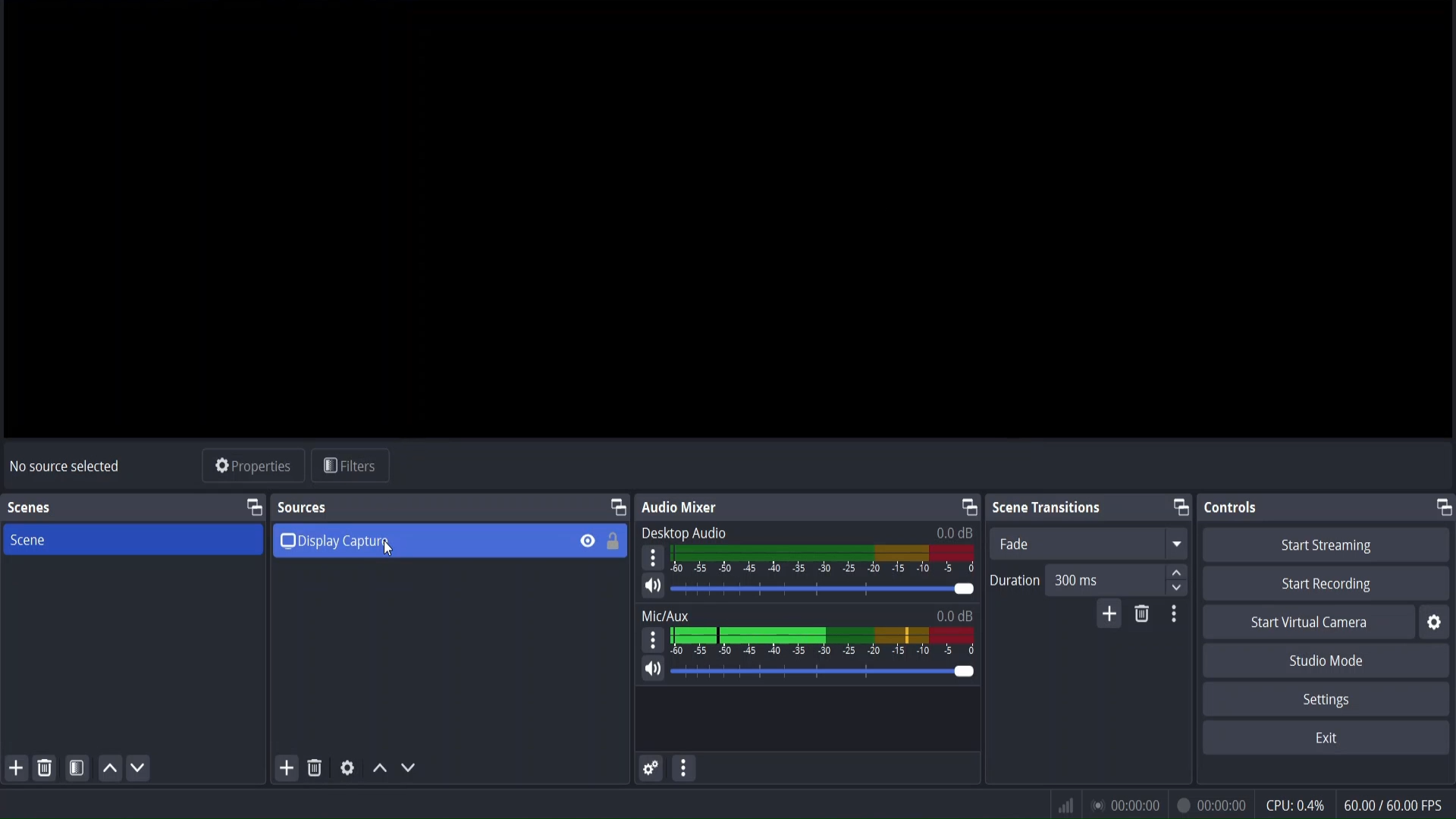 Image resolution: width=1456 pixels, height=819 pixels. Describe the element at coordinates (686, 769) in the screenshot. I see `more actions` at that location.